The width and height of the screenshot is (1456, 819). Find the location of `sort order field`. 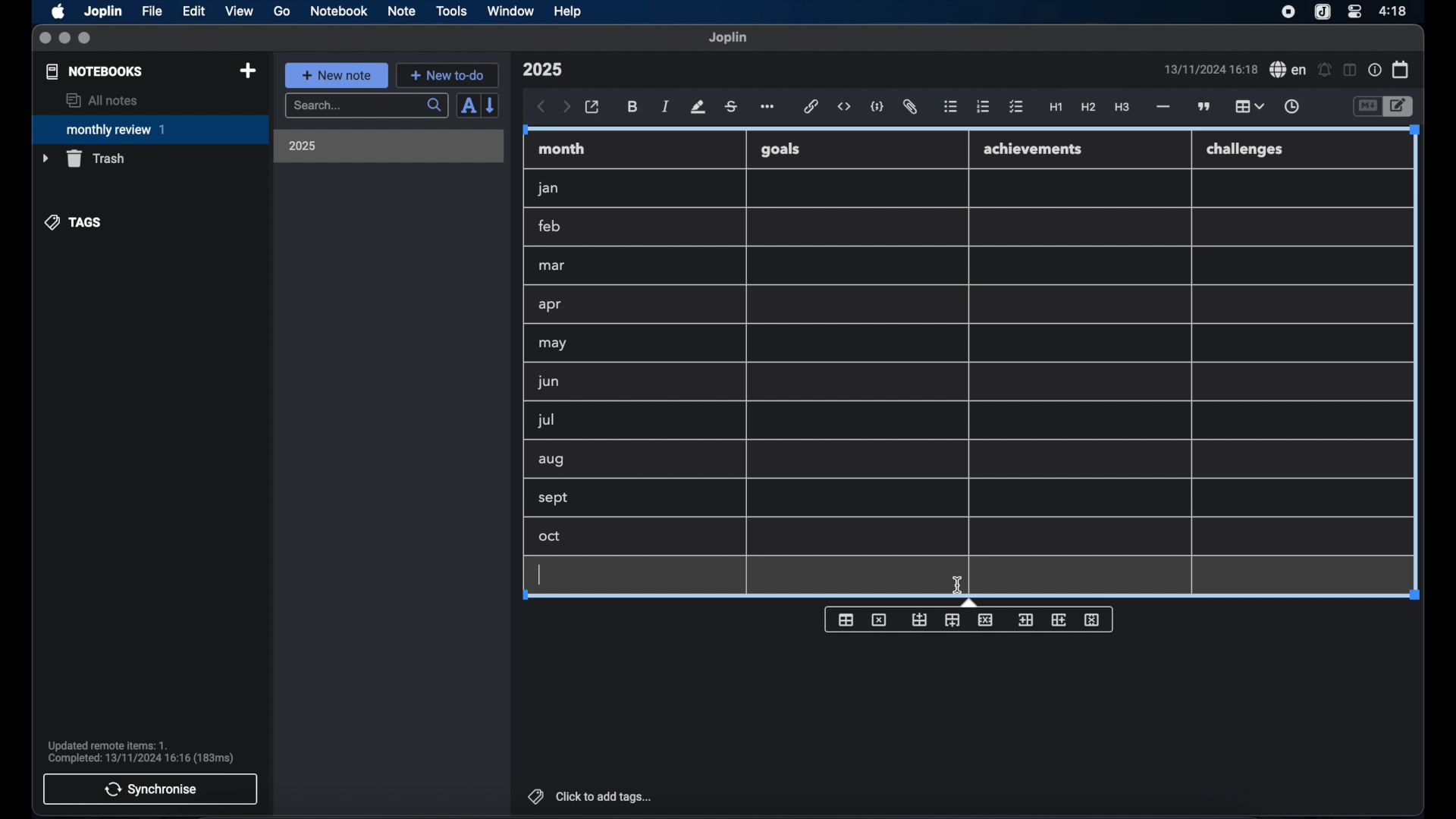

sort order field is located at coordinates (468, 106).